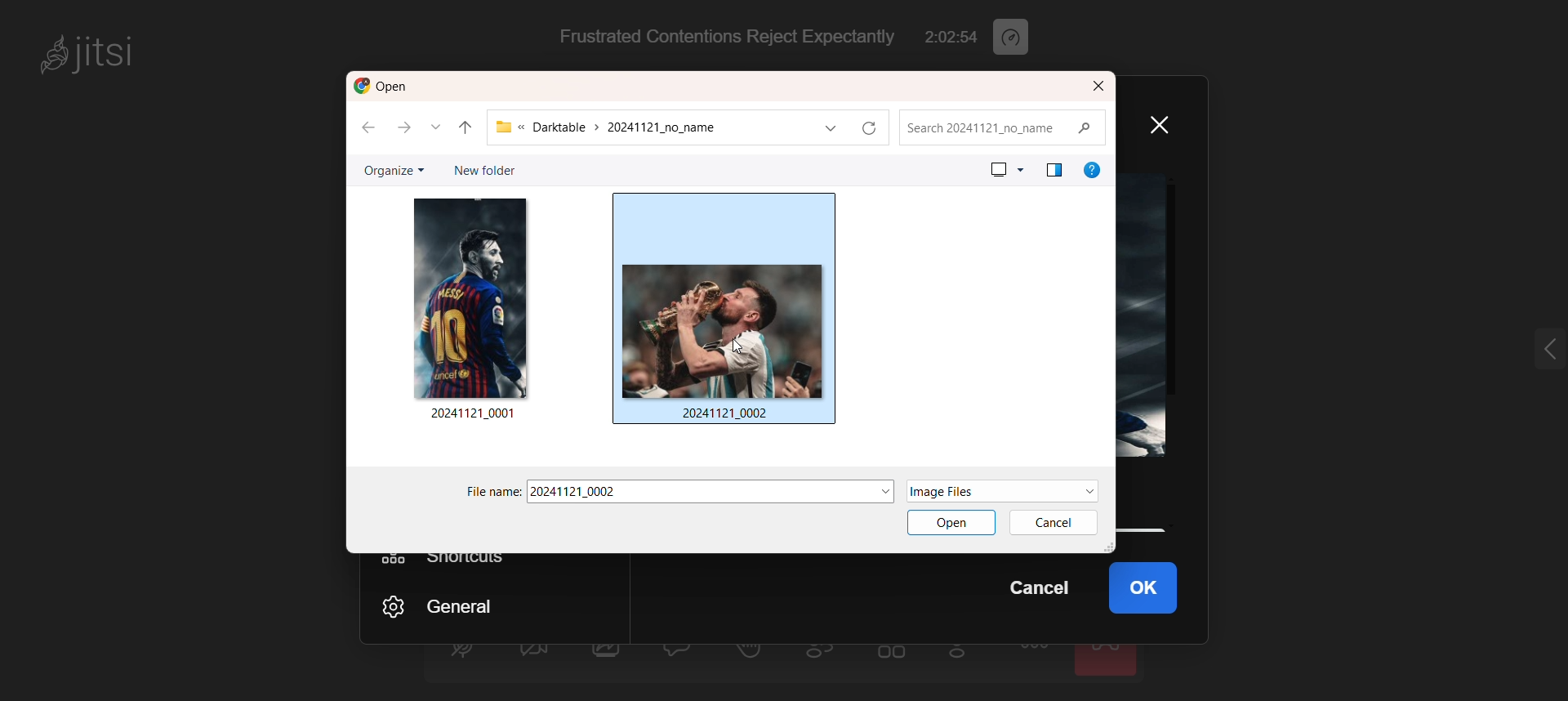 The height and width of the screenshot is (701, 1568). What do you see at coordinates (962, 655) in the screenshot?
I see `add participants` at bounding box center [962, 655].